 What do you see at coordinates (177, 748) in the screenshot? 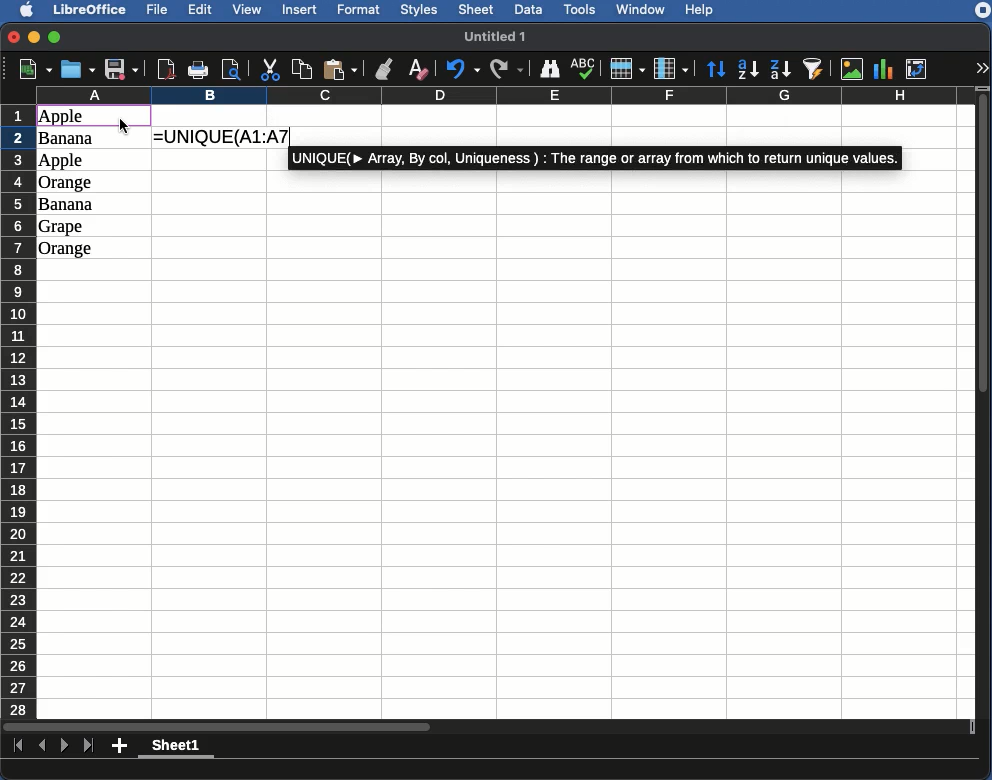
I see `Sheet1` at bounding box center [177, 748].